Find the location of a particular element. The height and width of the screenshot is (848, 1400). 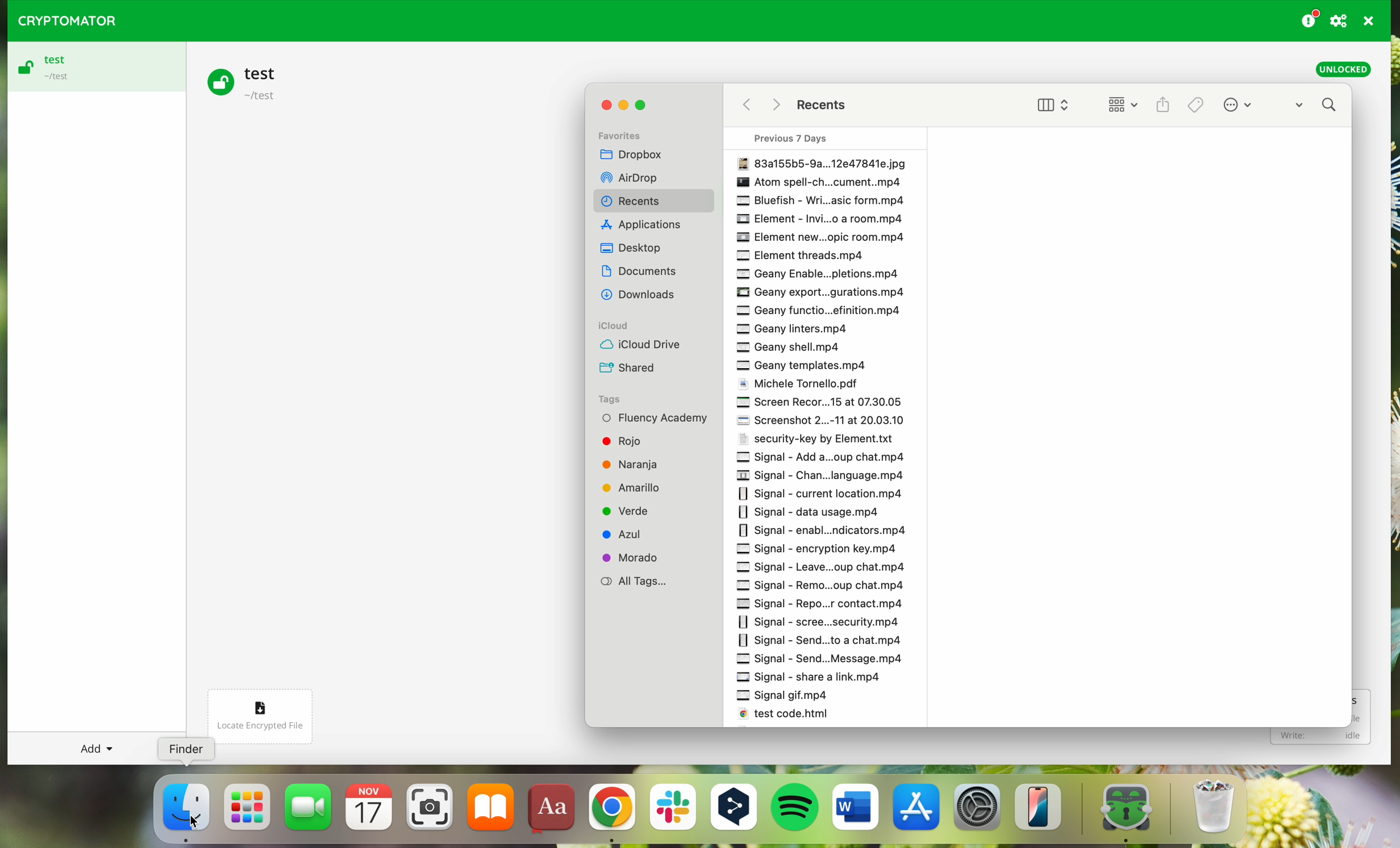

Geany shell is located at coordinates (795, 348).